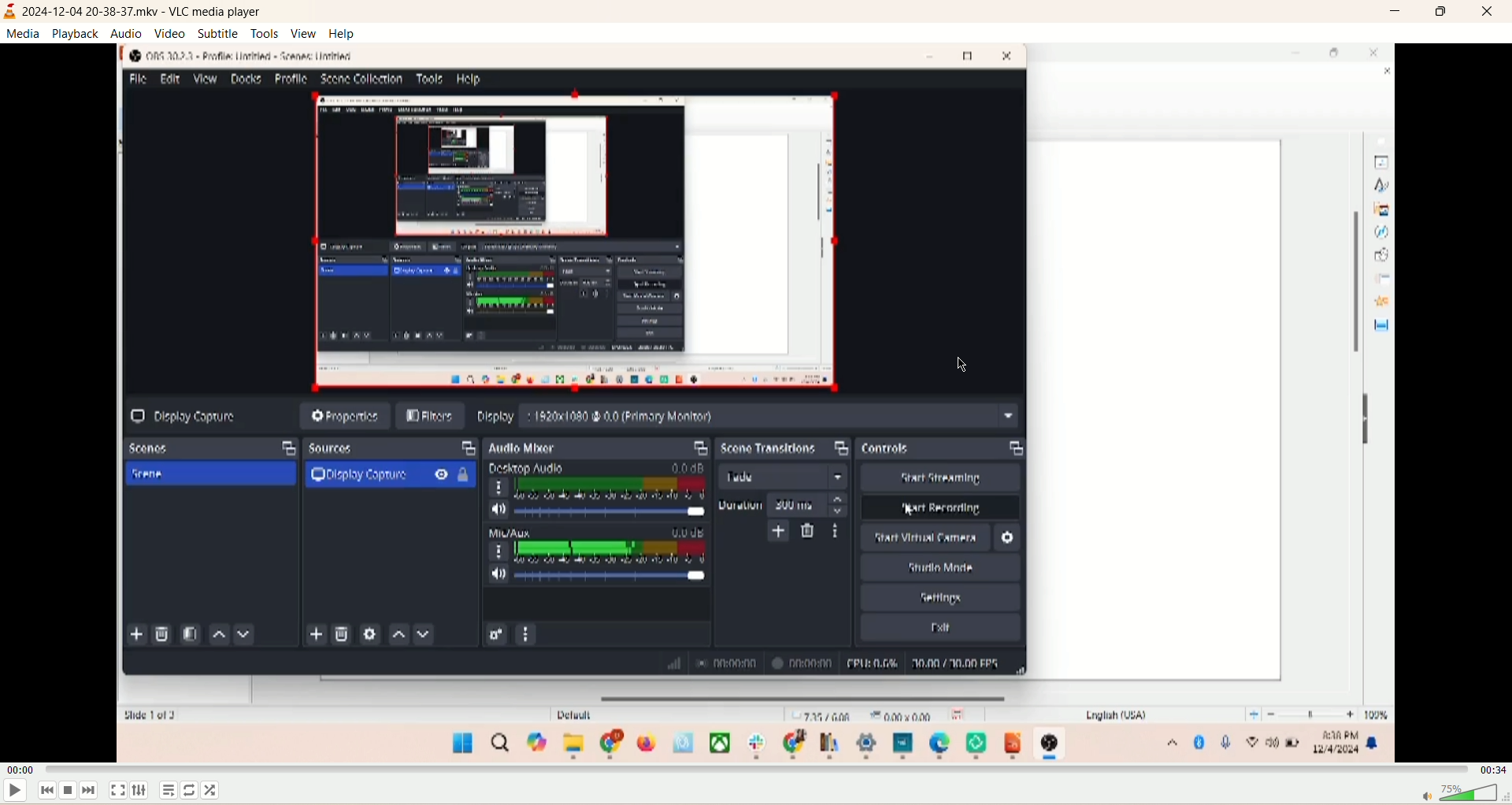 The height and width of the screenshot is (805, 1512). Describe the element at coordinates (117, 791) in the screenshot. I see `fullscreen` at that location.